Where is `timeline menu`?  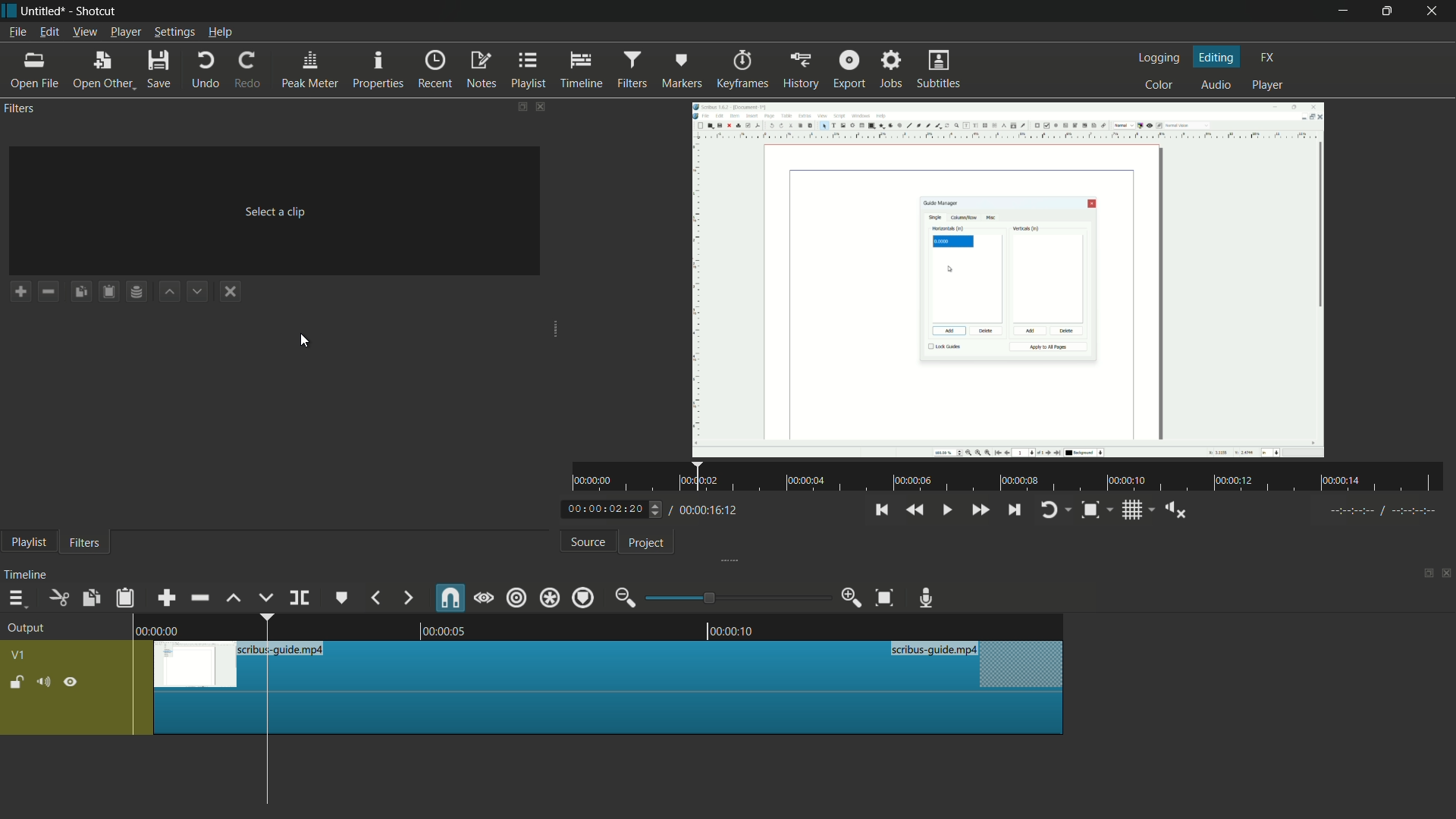 timeline menu is located at coordinates (15, 598).